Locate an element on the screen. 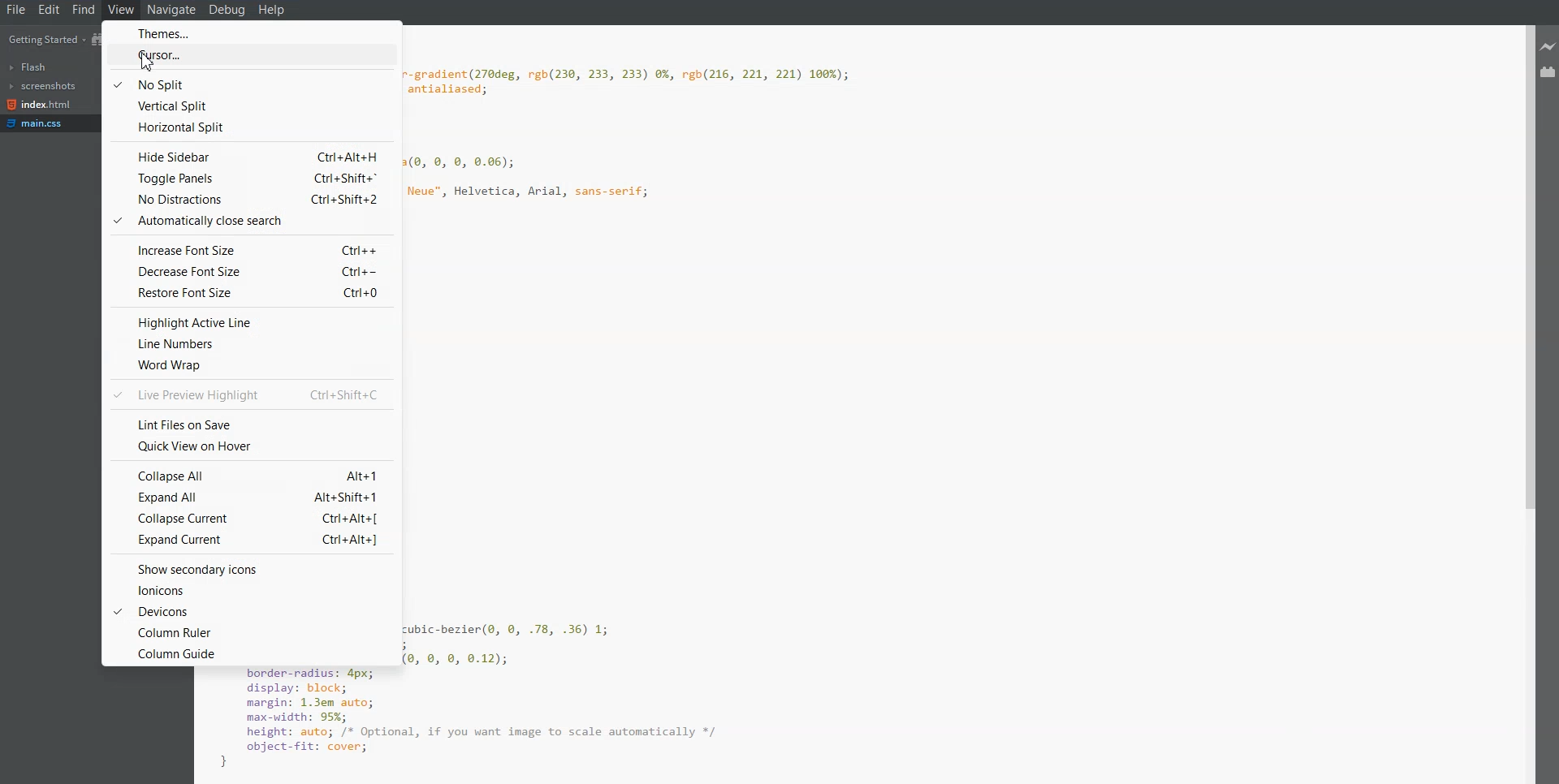 This screenshot has width=1559, height=784. Live Preview is located at coordinates (1549, 48).